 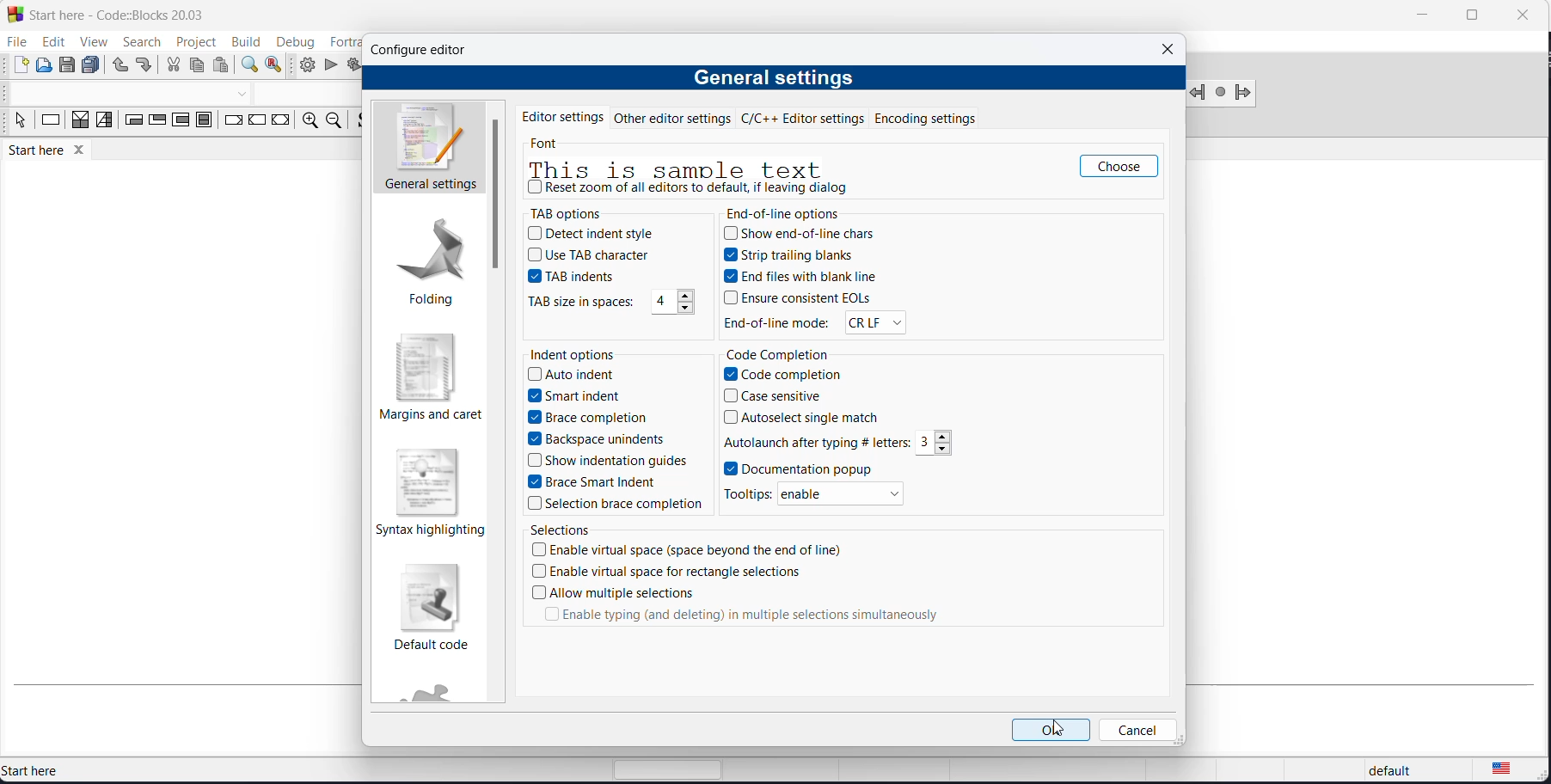 I want to click on strip trailing blanks checkbox, so click(x=806, y=258).